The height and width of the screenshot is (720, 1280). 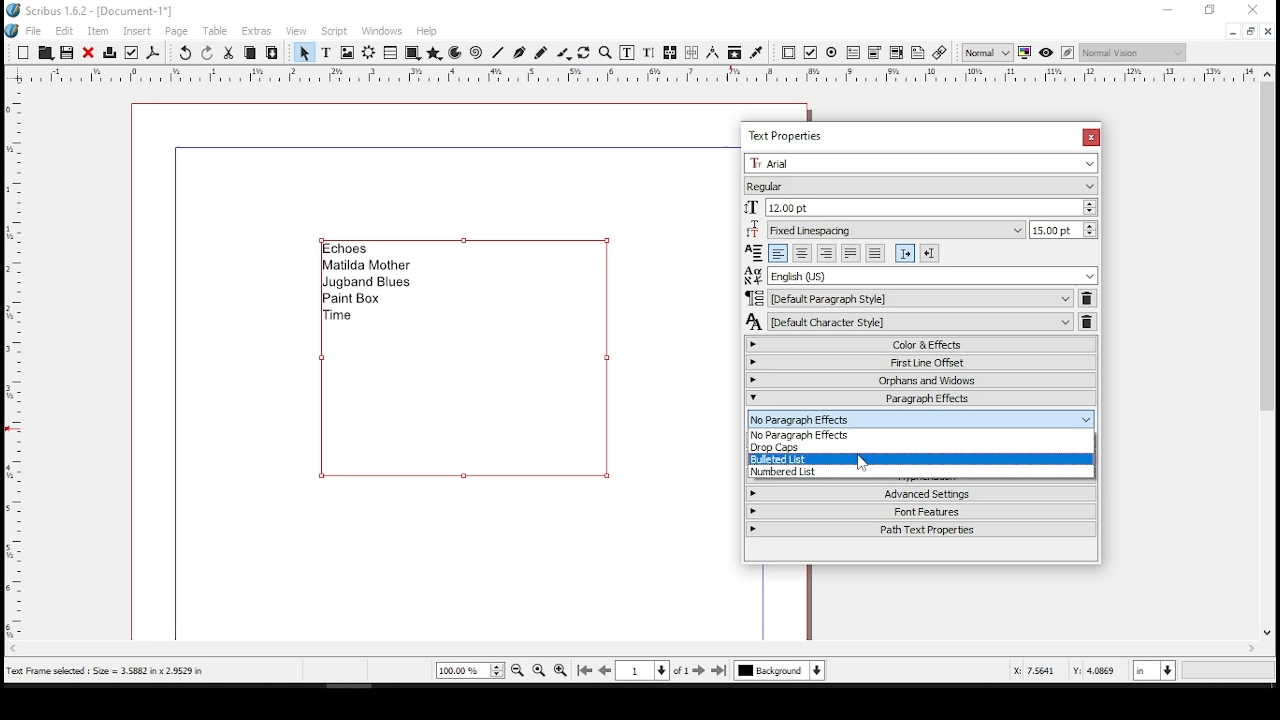 What do you see at coordinates (102, 9) in the screenshot?
I see `scribus 1.6.2 - [document-1*]` at bounding box center [102, 9].